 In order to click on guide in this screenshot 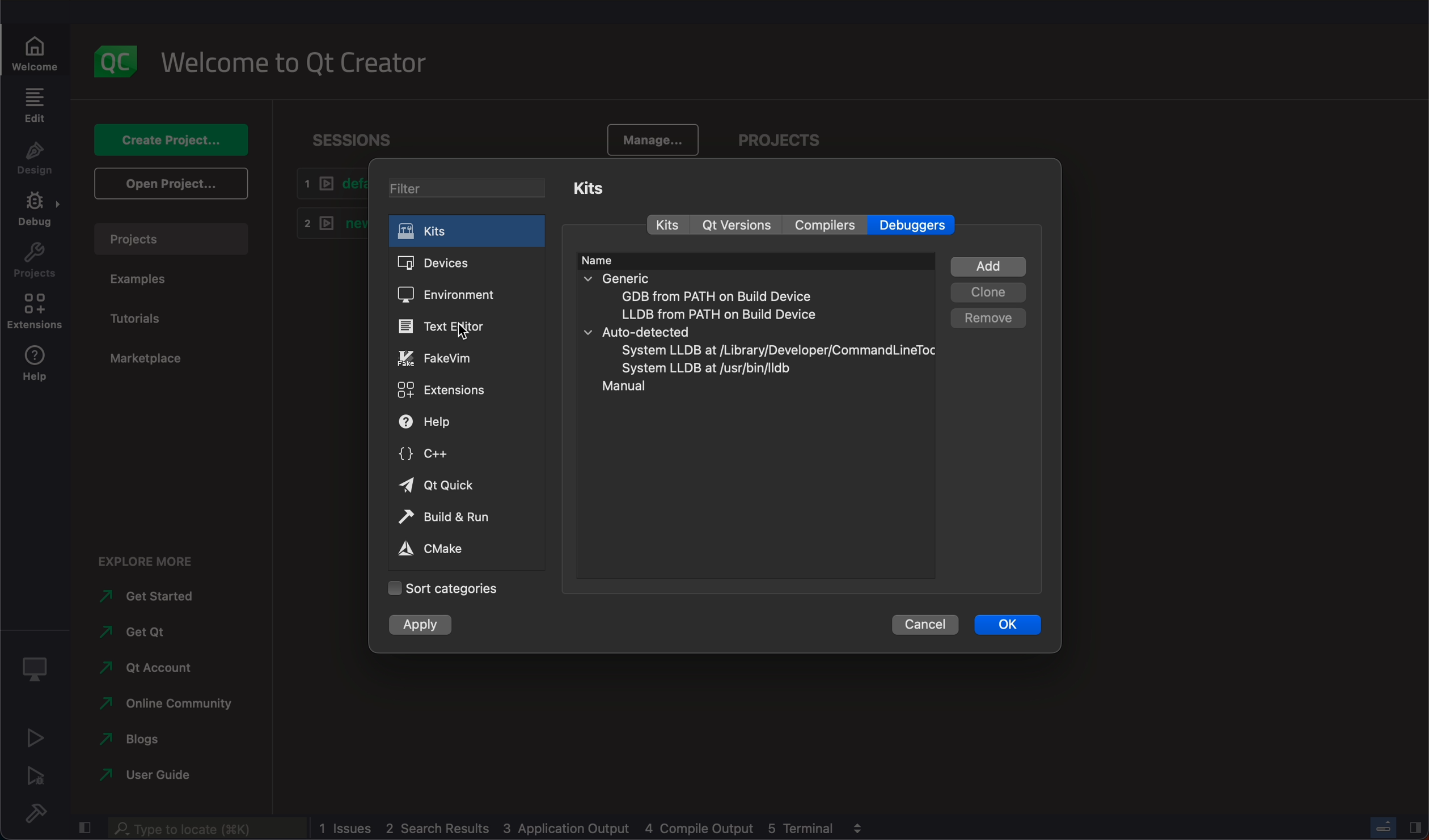, I will do `click(156, 775)`.